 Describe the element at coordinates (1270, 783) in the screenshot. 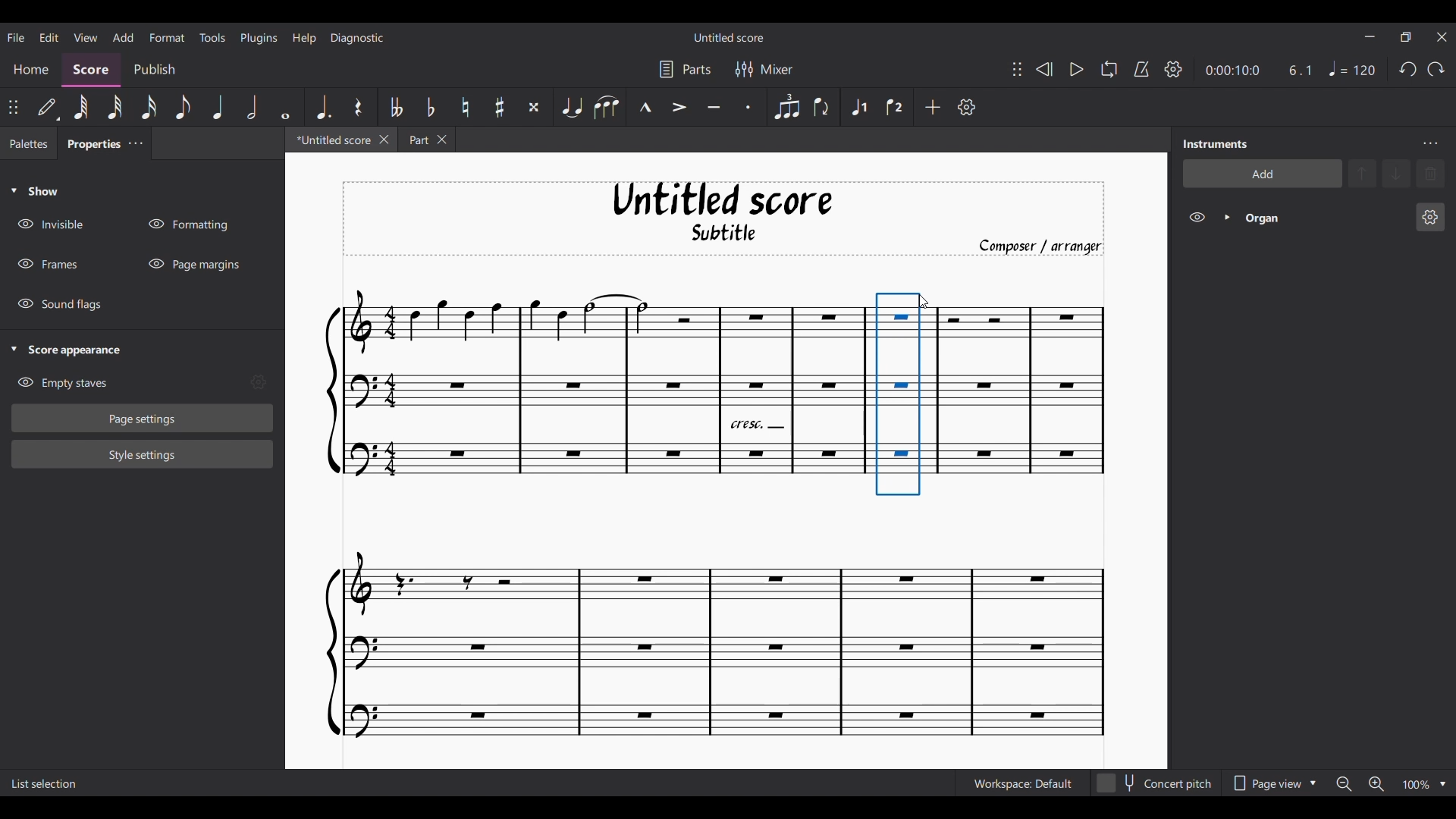

I see `Page view options` at that location.